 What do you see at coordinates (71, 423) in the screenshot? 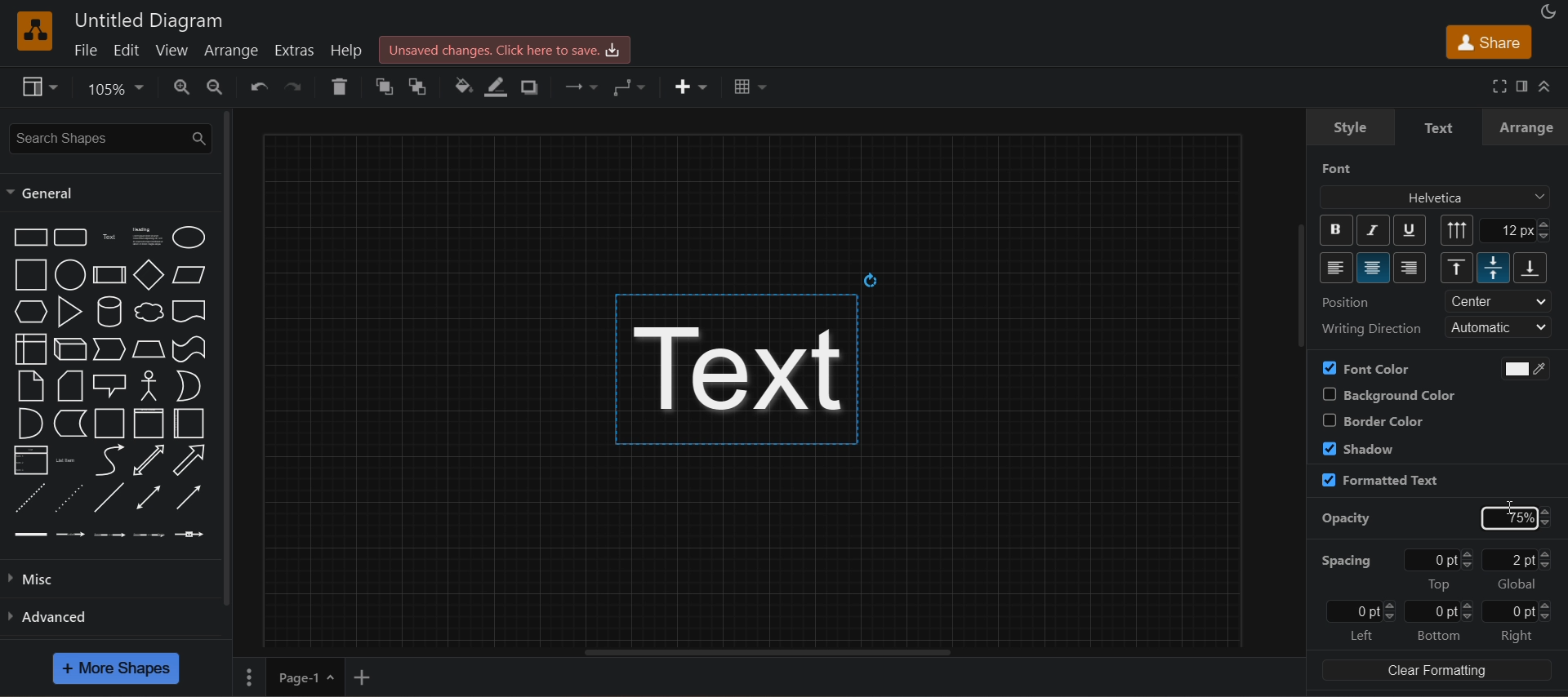
I see `data storage` at bounding box center [71, 423].